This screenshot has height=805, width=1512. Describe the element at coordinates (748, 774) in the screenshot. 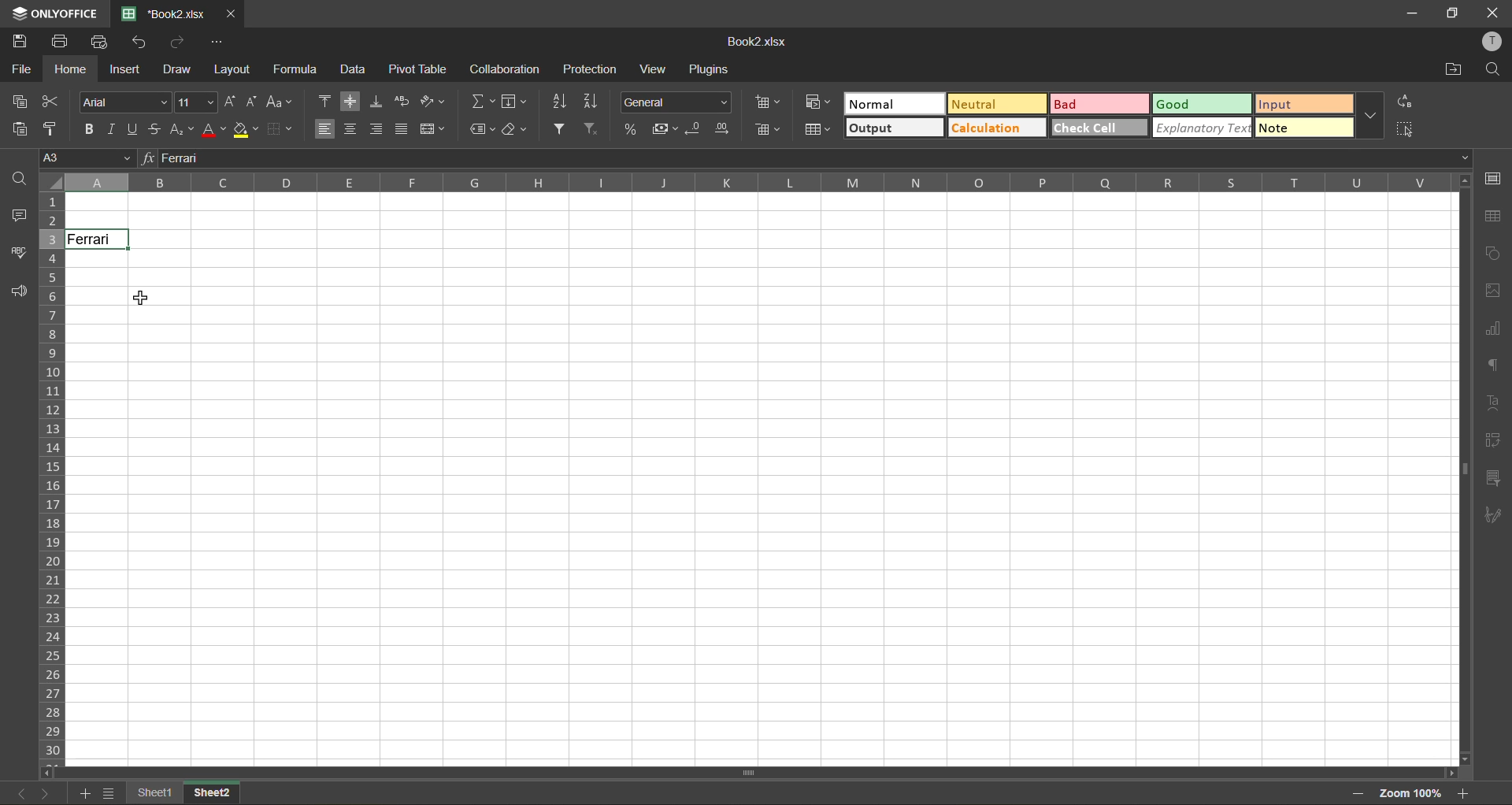

I see `horizontal scrollbar` at that location.